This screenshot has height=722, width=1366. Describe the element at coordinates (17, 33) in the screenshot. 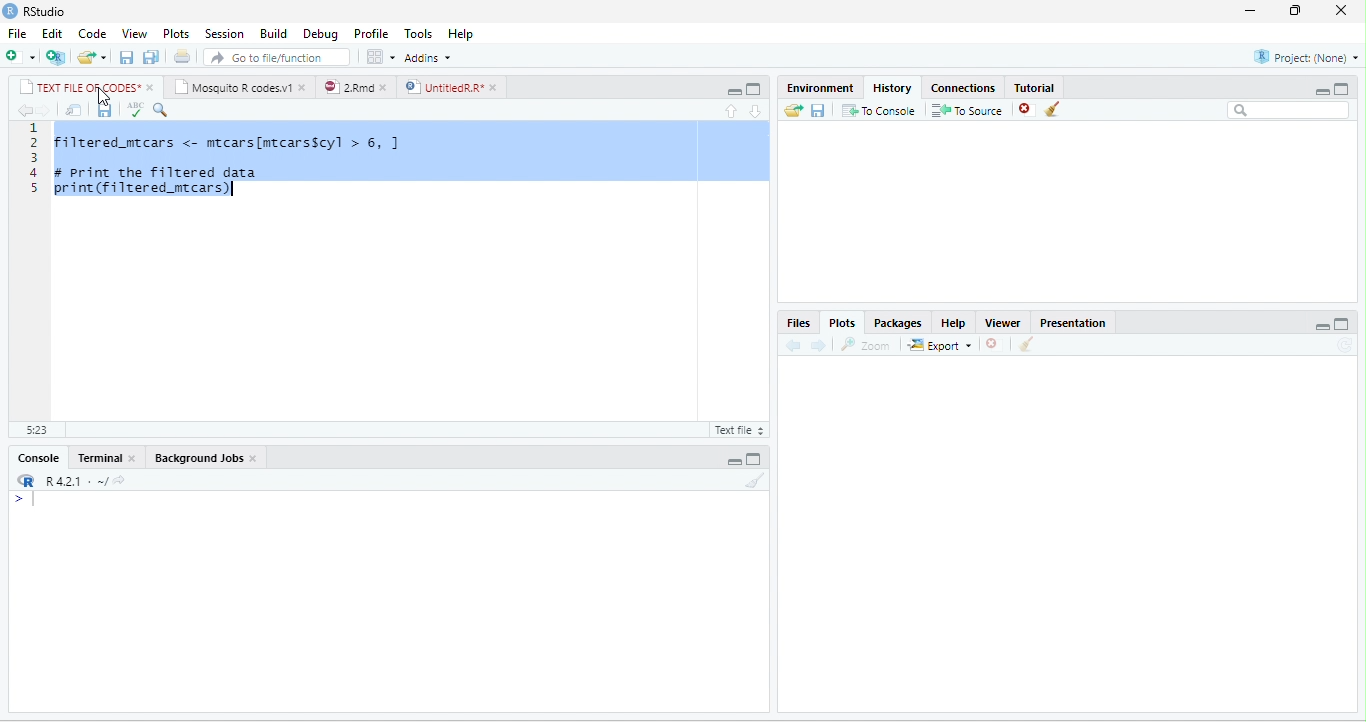

I see `File` at that location.